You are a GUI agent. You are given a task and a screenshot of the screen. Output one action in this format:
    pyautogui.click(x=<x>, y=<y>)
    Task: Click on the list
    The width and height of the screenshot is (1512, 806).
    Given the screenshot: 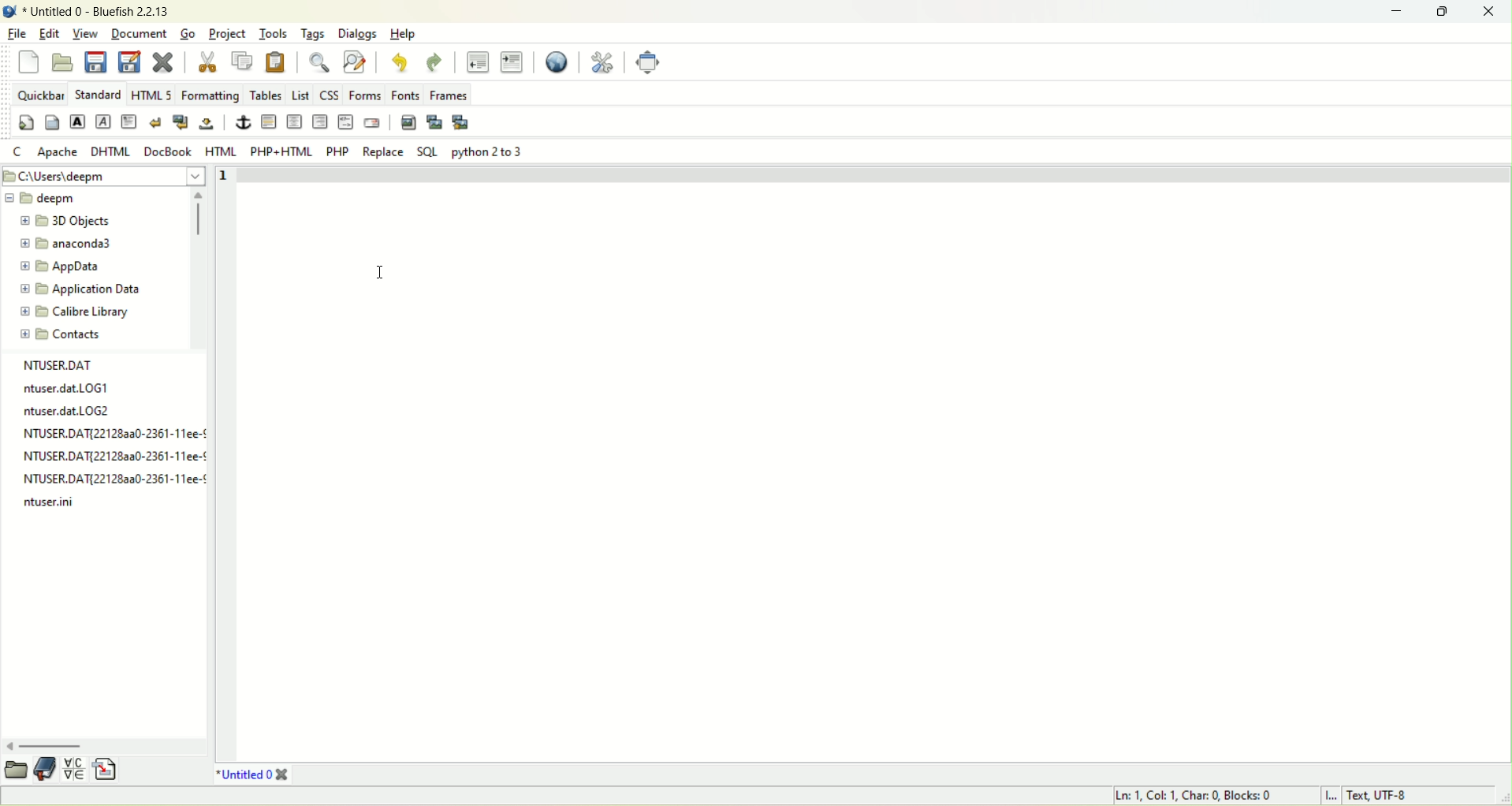 What is the action you would take?
    pyautogui.click(x=300, y=94)
    